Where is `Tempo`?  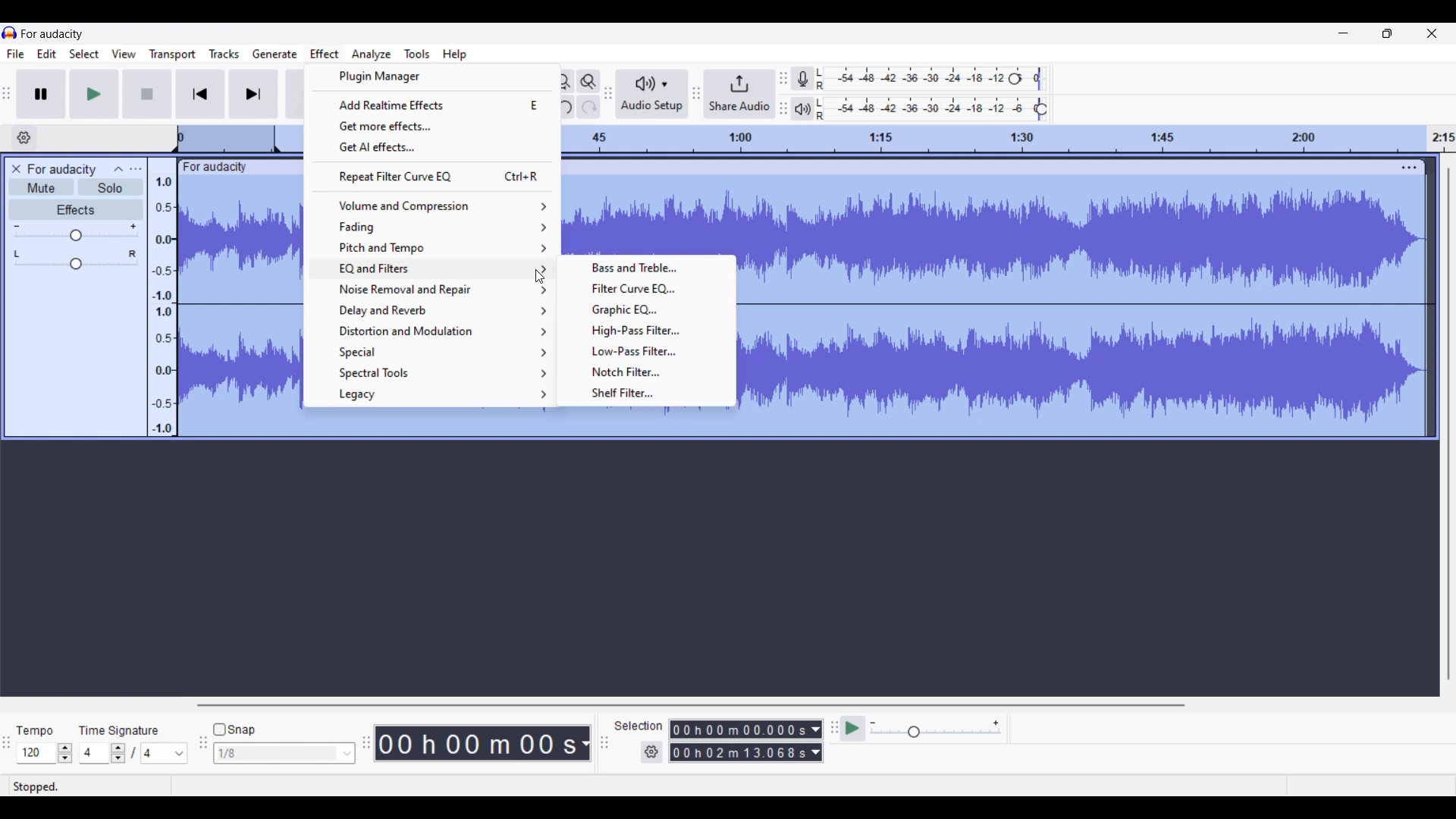 Tempo is located at coordinates (36, 729).